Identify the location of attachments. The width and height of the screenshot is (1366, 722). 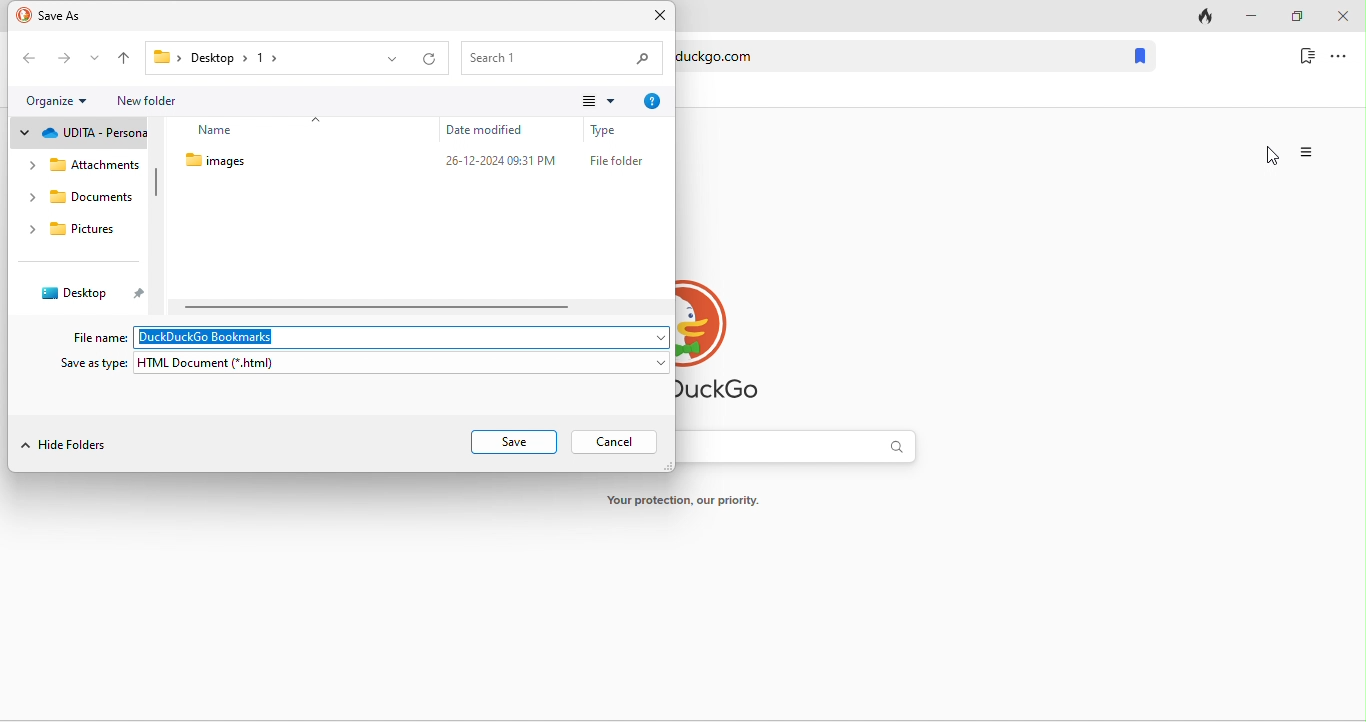
(82, 167).